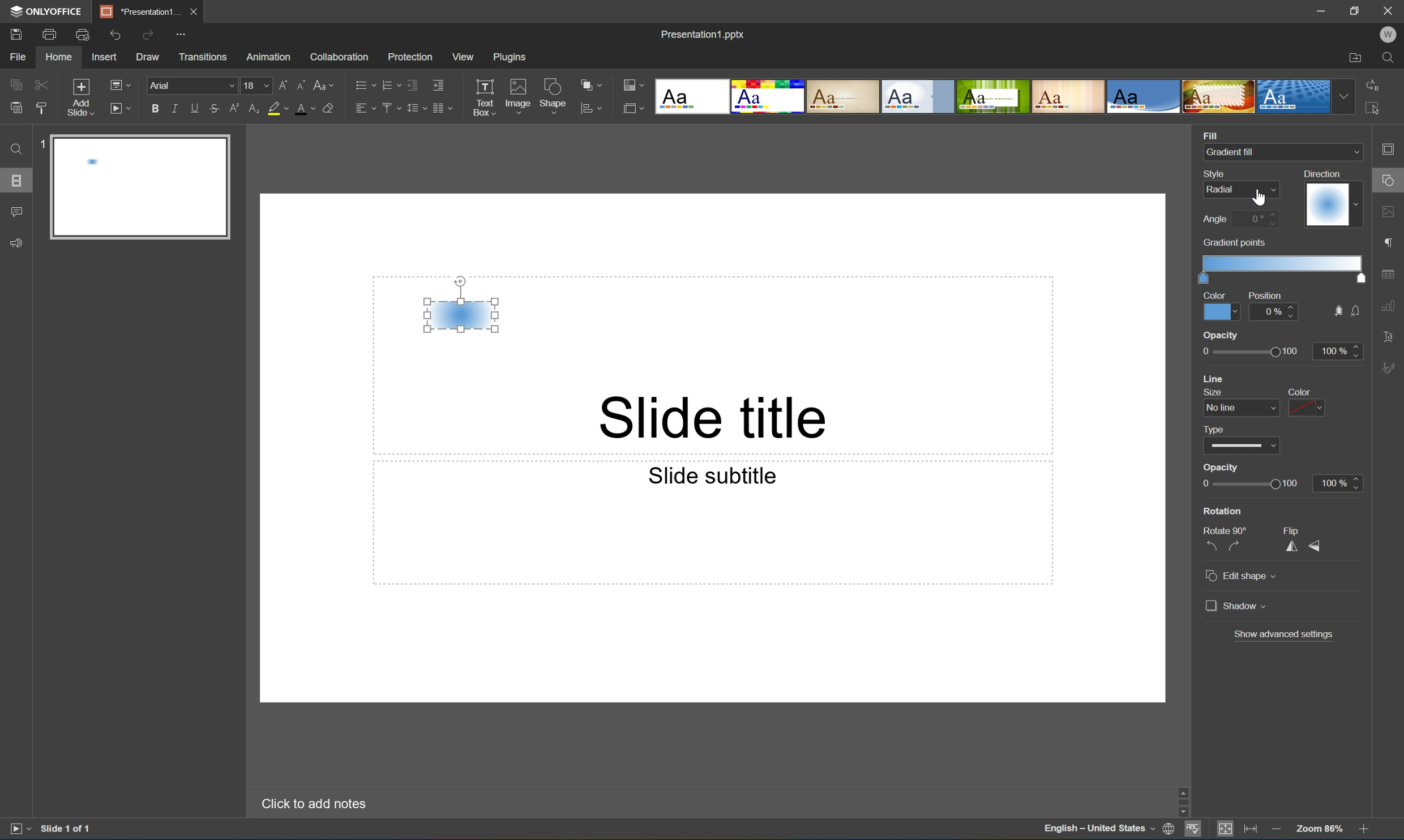  Describe the element at coordinates (389, 84) in the screenshot. I see `Numbering` at that location.